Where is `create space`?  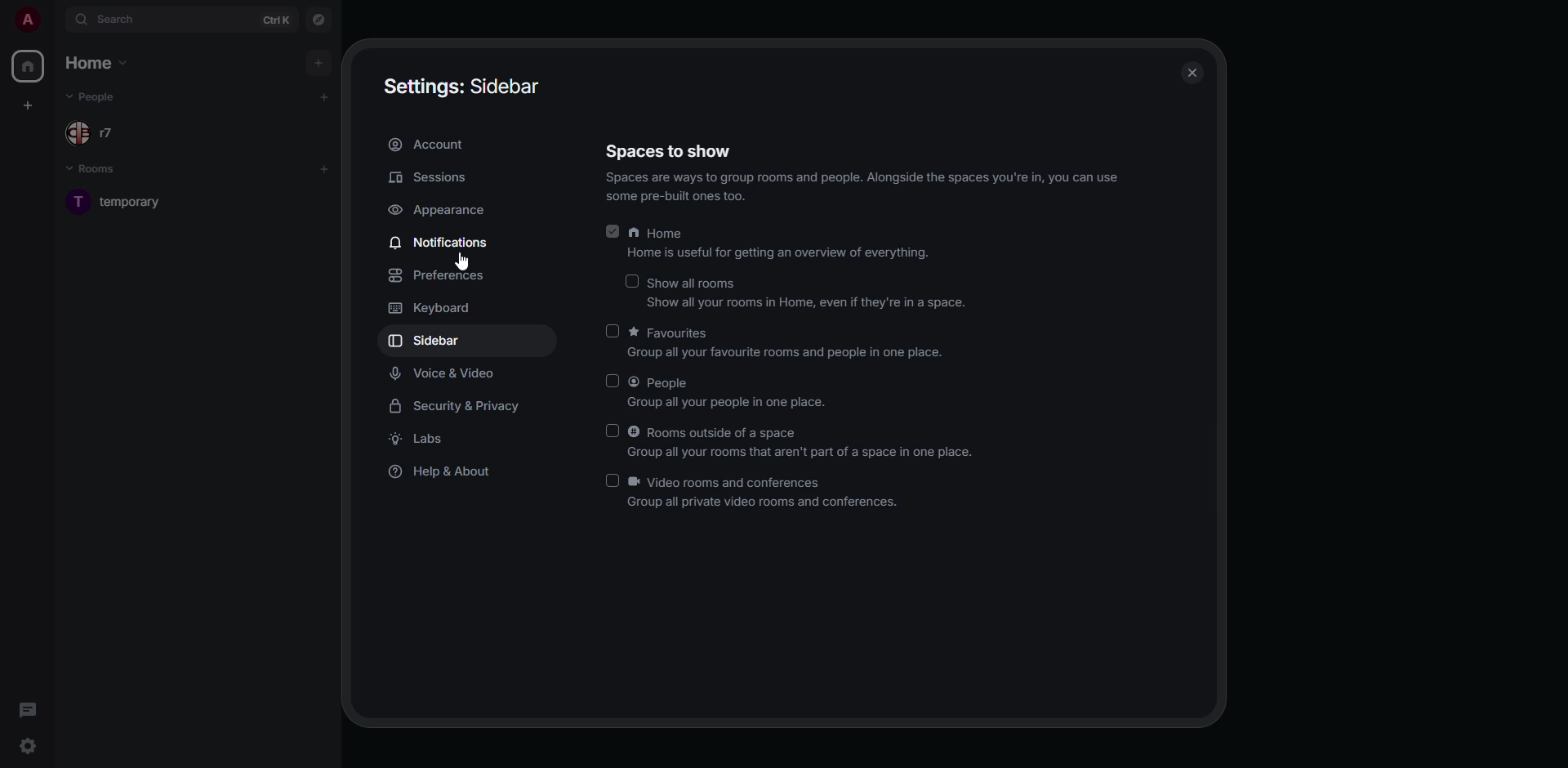 create space is located at coordinates (31, 105).